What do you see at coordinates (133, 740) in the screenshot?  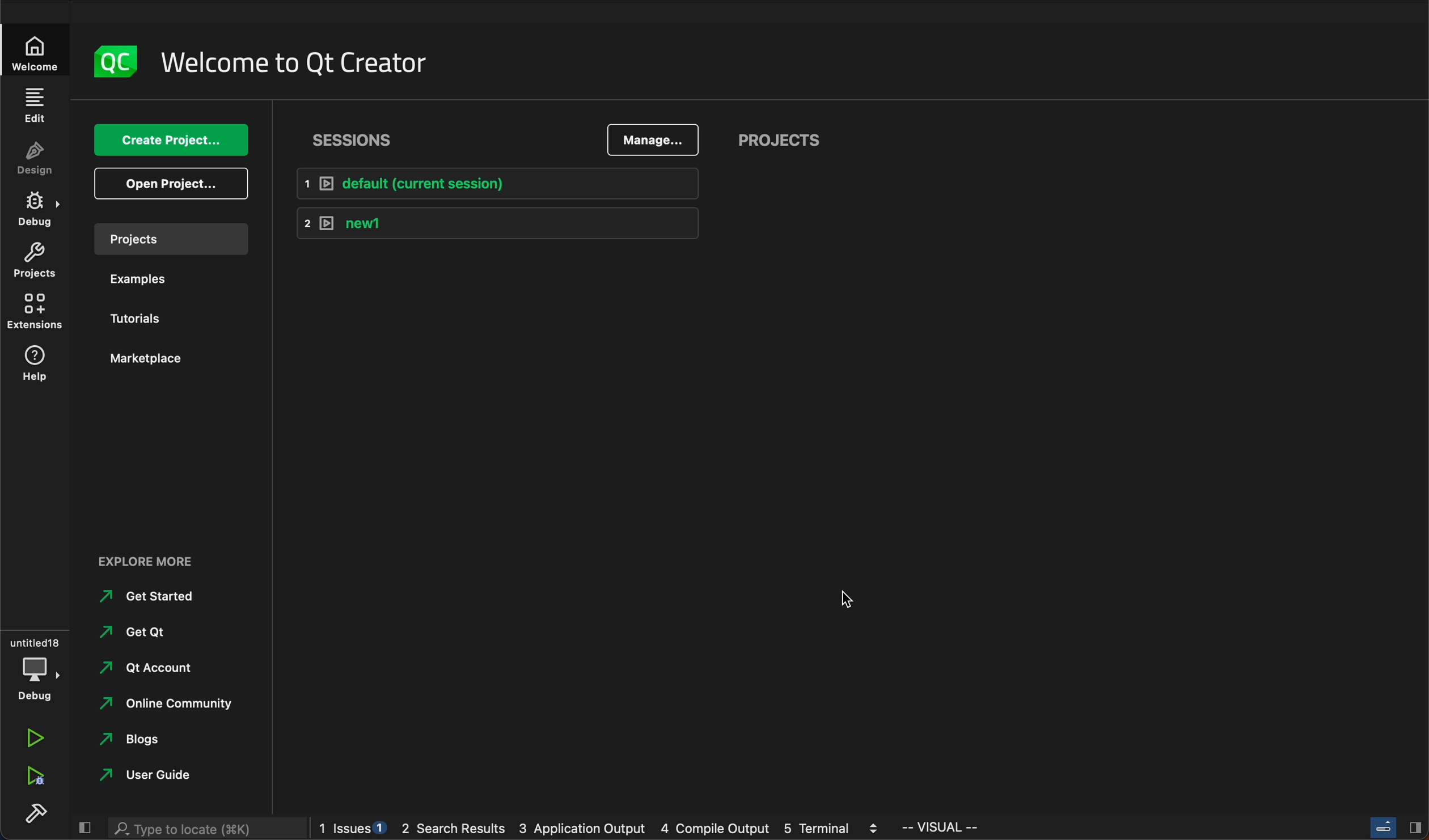 I see `blogs` at bounding box center [133, 740].